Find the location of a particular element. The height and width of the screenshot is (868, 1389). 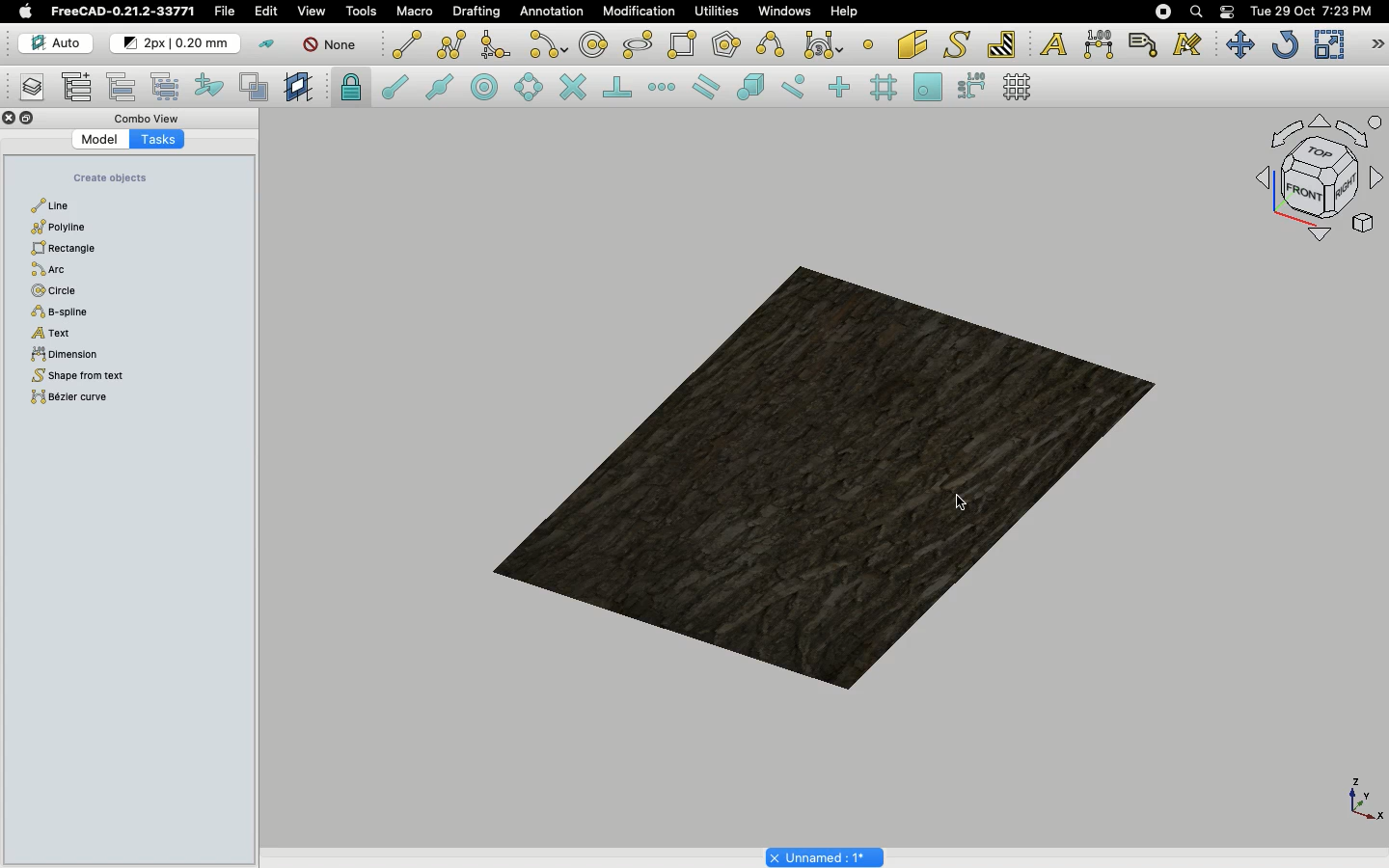

Arc tools is located at coordinates (546, 44).